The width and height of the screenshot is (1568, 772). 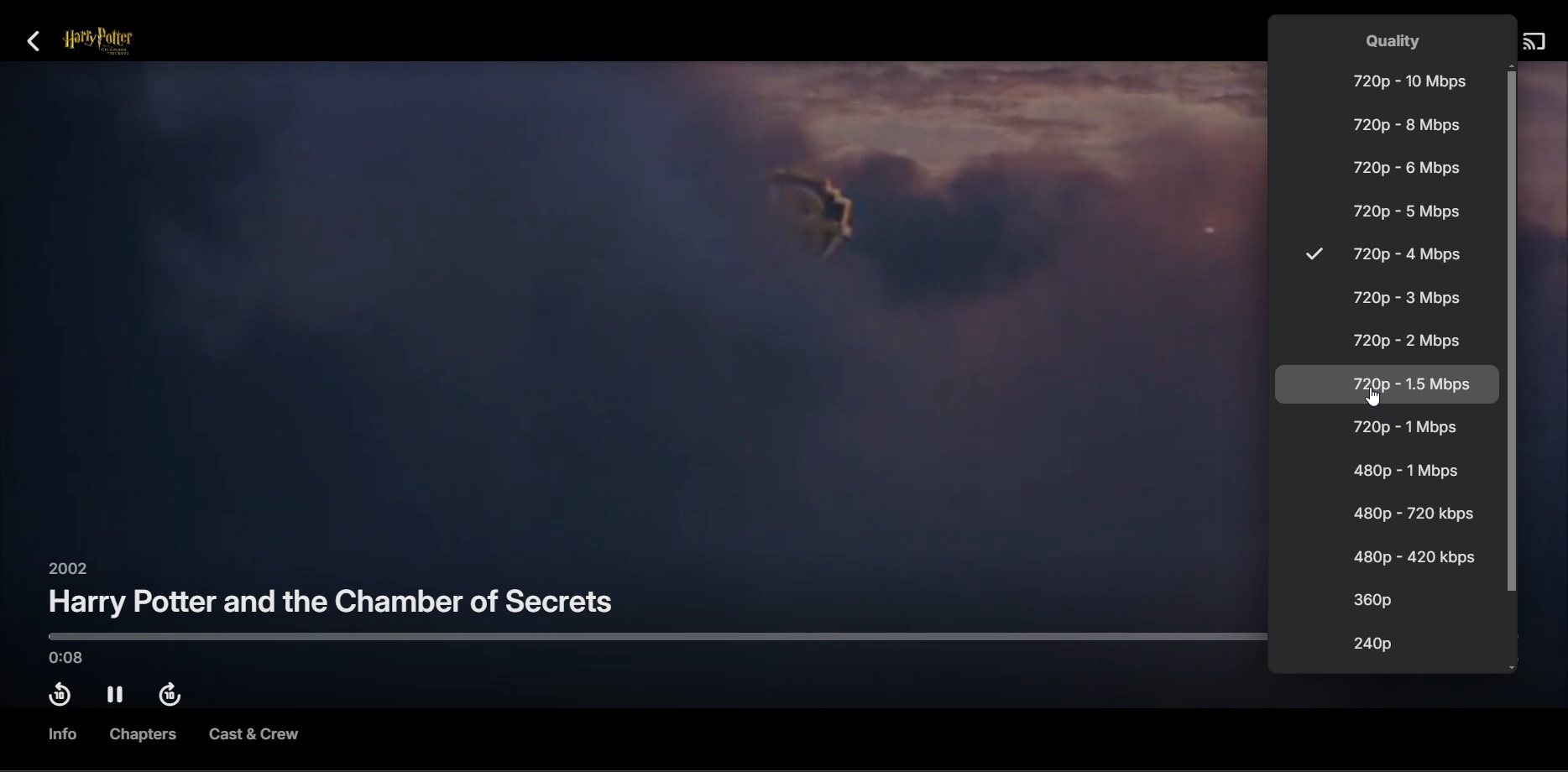 I want to click on Quality, so click(x=1395, y=40).